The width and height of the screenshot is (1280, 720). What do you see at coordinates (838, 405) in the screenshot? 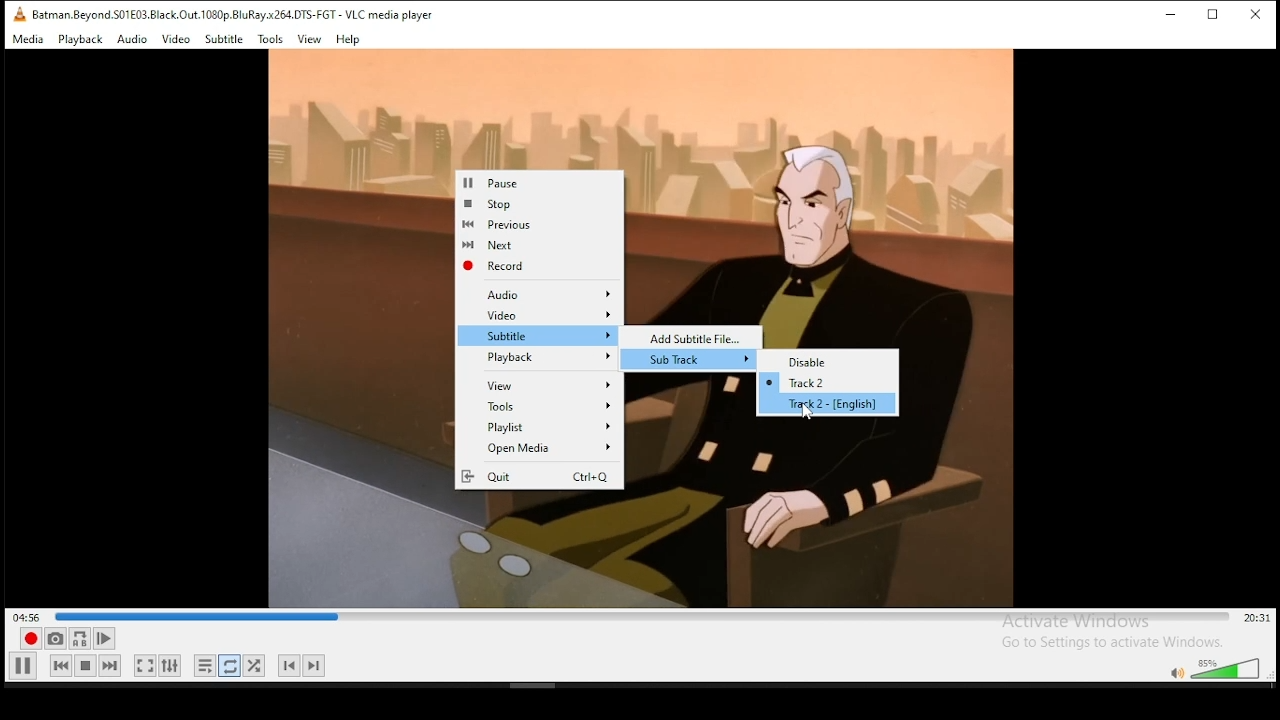
I see `Track 2 - [English]` at bounding box center [838, 405].